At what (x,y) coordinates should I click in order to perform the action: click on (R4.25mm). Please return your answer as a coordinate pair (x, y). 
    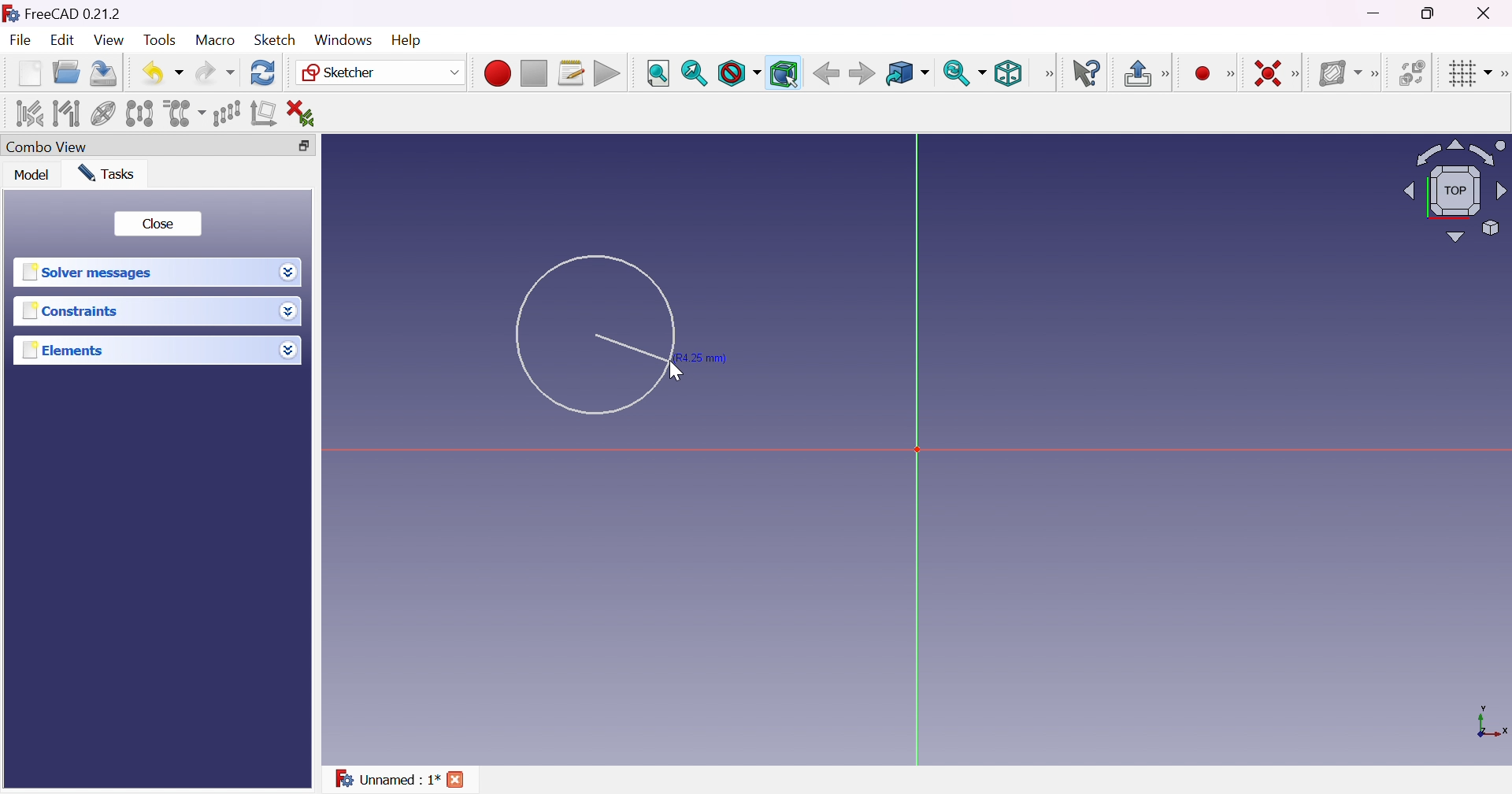
    Looking at the image, I should click on (700, 358).